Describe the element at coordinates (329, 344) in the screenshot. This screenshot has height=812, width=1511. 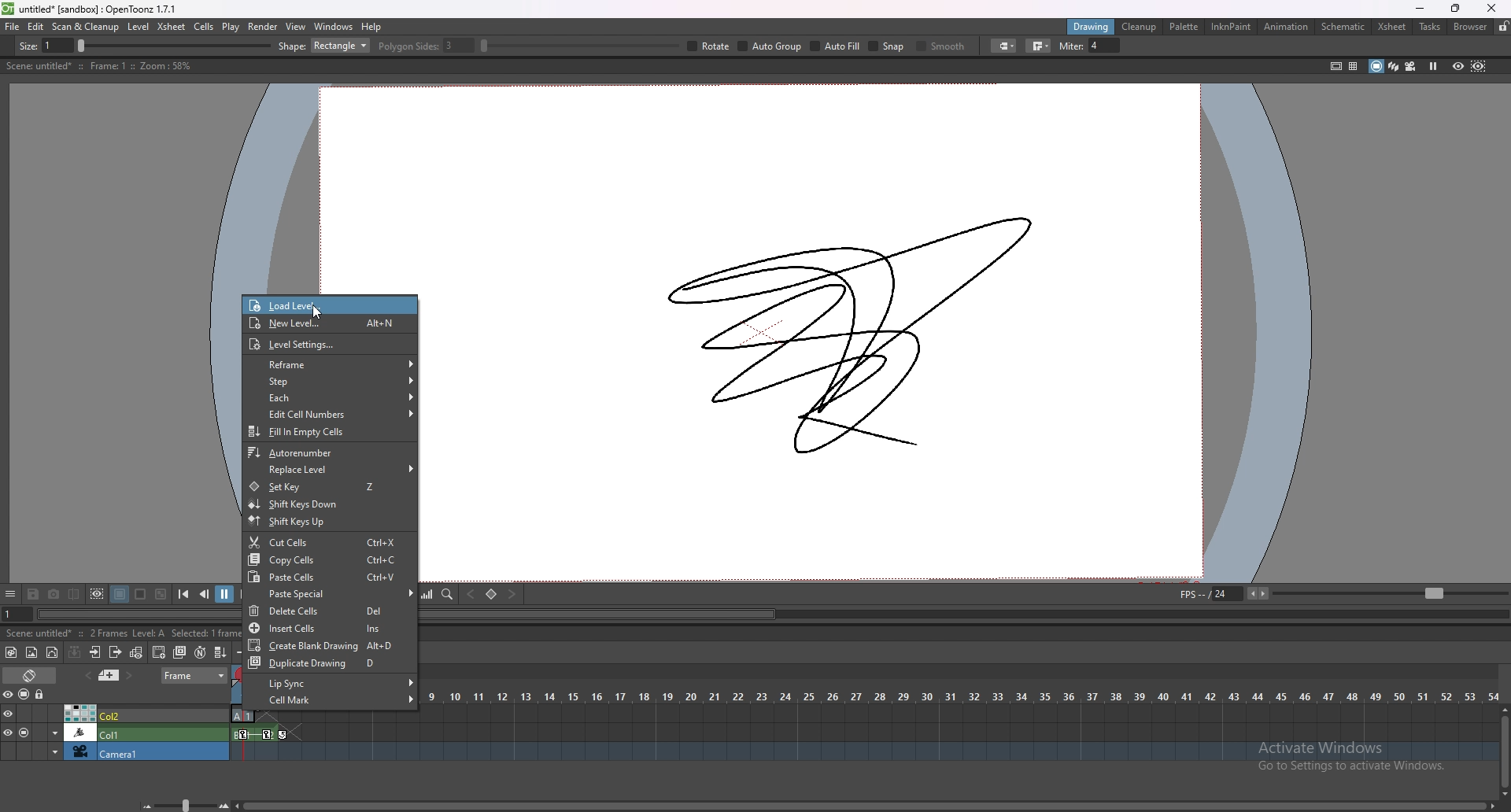
I see `level settings` at that location.